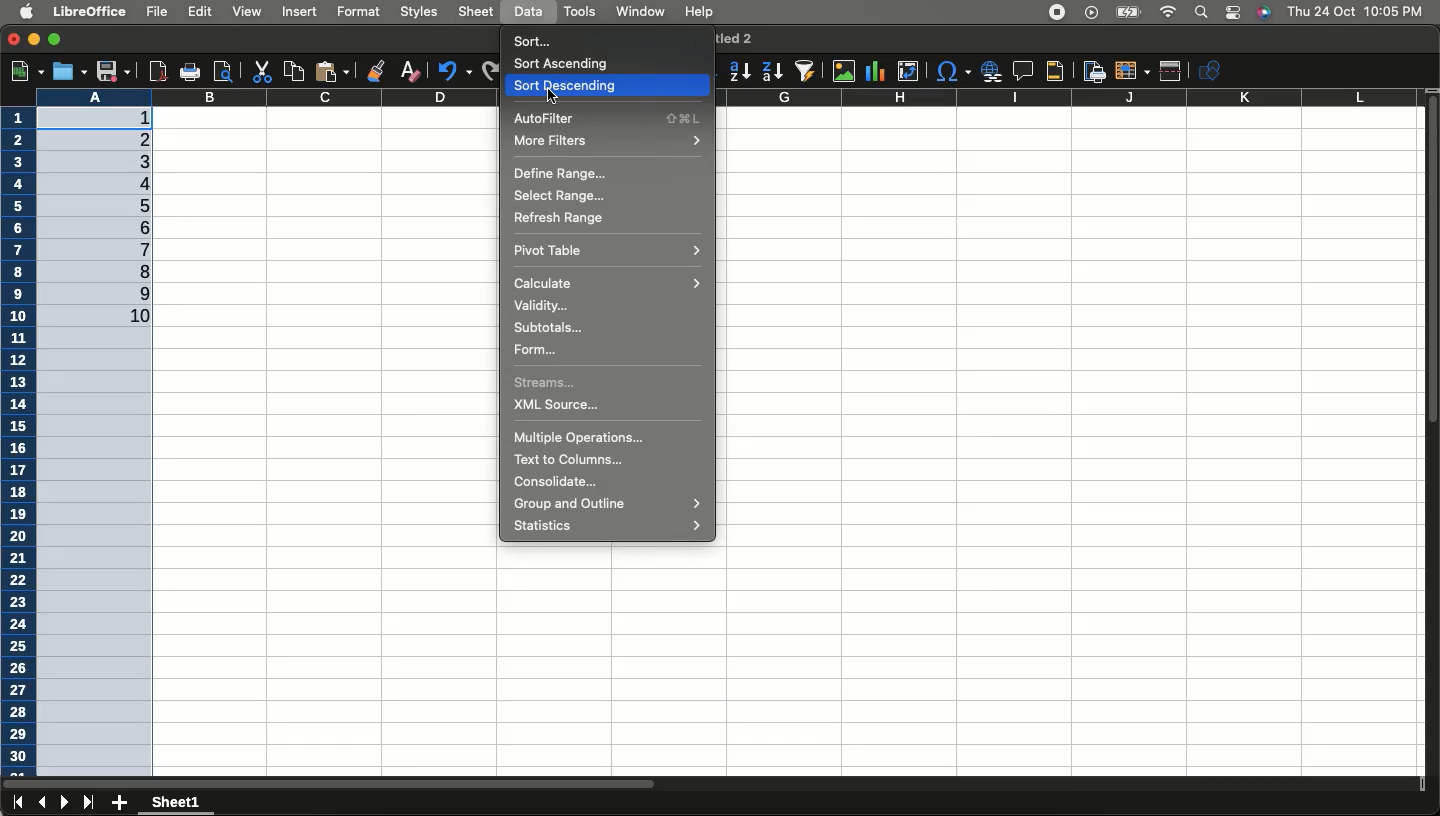 This screenshot has height=816, width=1440. I want to click on Insert or edit pivot table, so click(908, 71).